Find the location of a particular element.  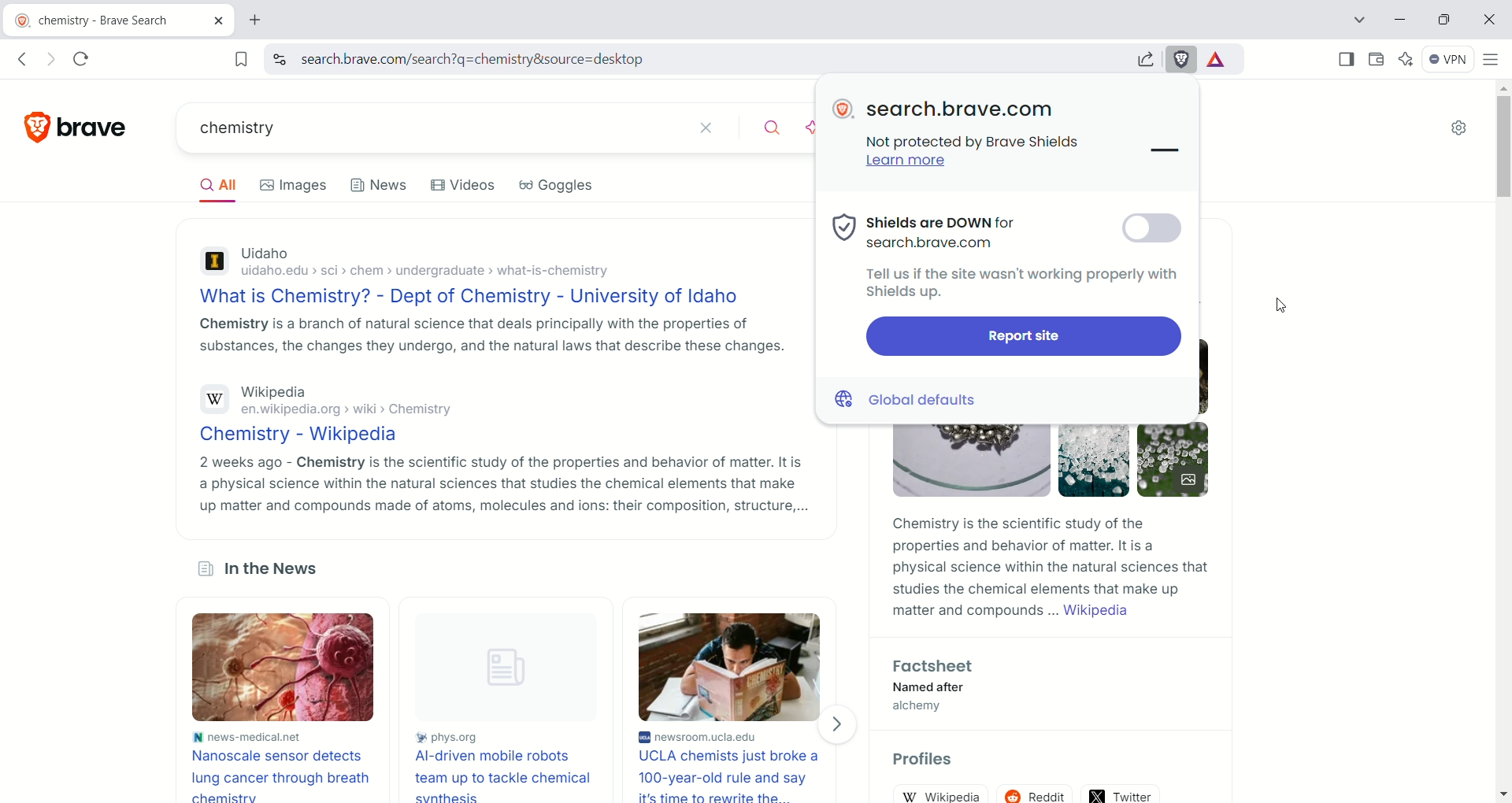

Wikipedia, reddit, twitter is located at coordinates (1047, 790).